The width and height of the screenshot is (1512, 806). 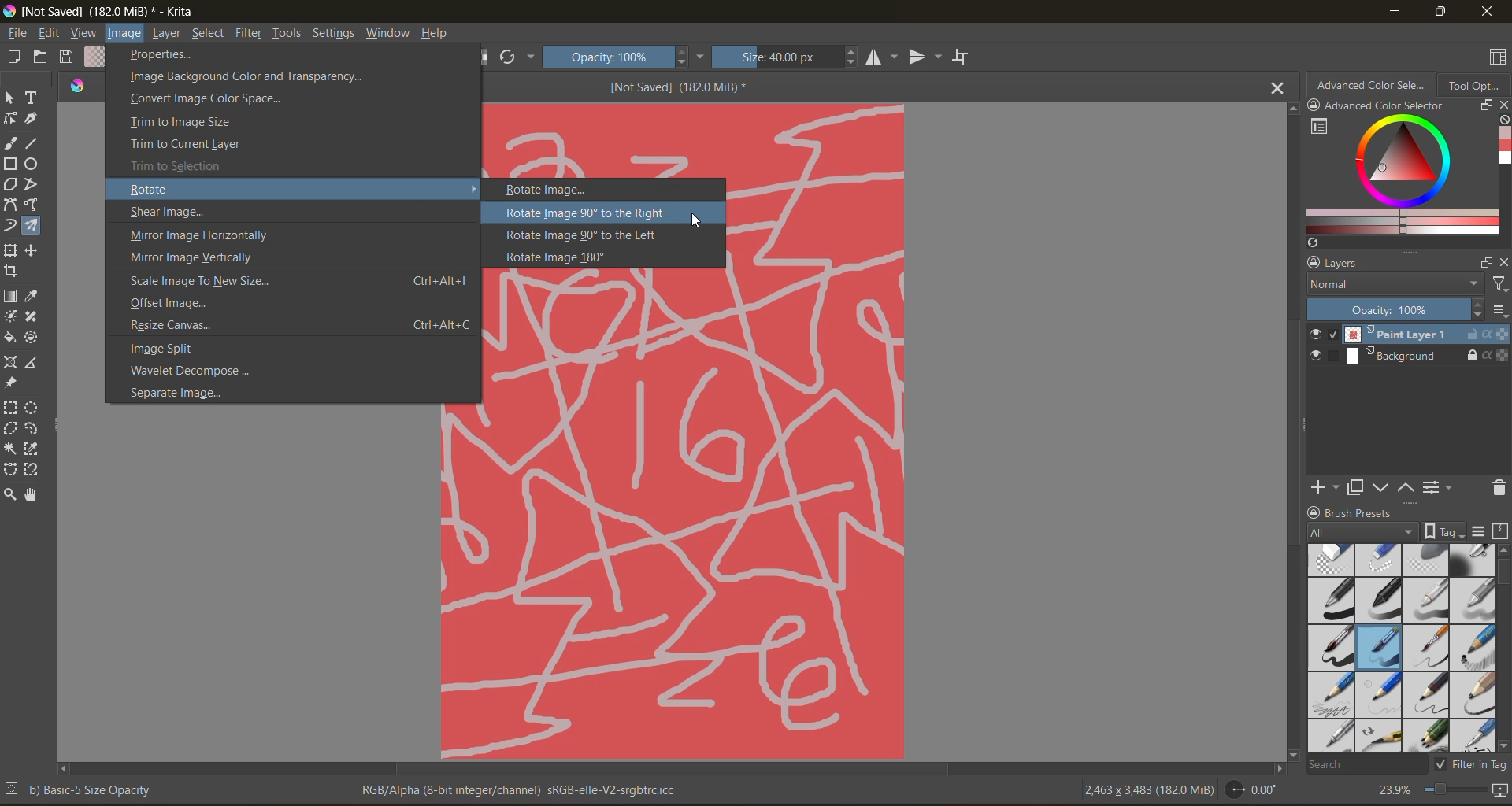 I want to click on filters, so click(x=1498, y=287).